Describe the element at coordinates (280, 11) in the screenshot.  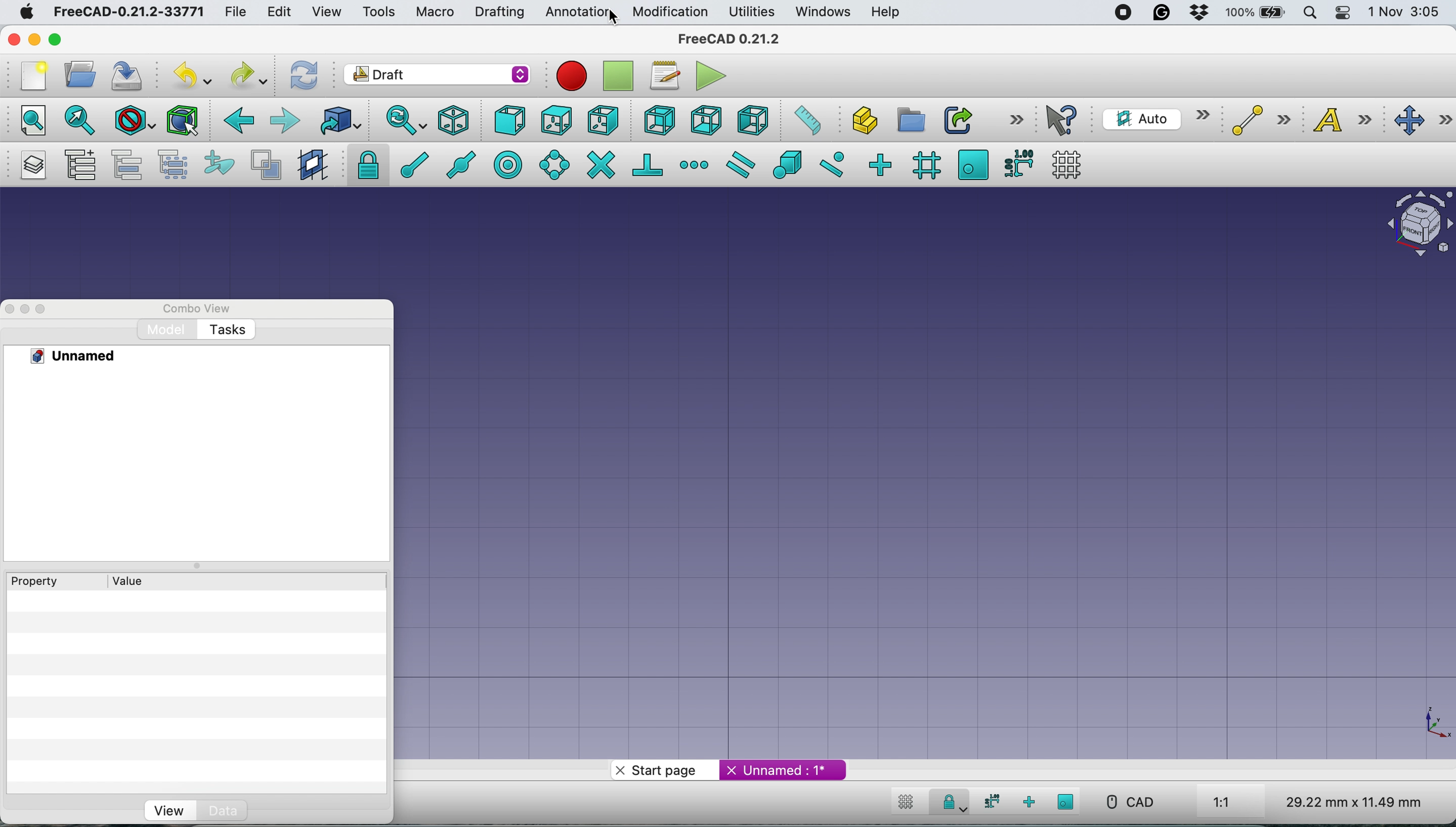
I see `edit` at that location.